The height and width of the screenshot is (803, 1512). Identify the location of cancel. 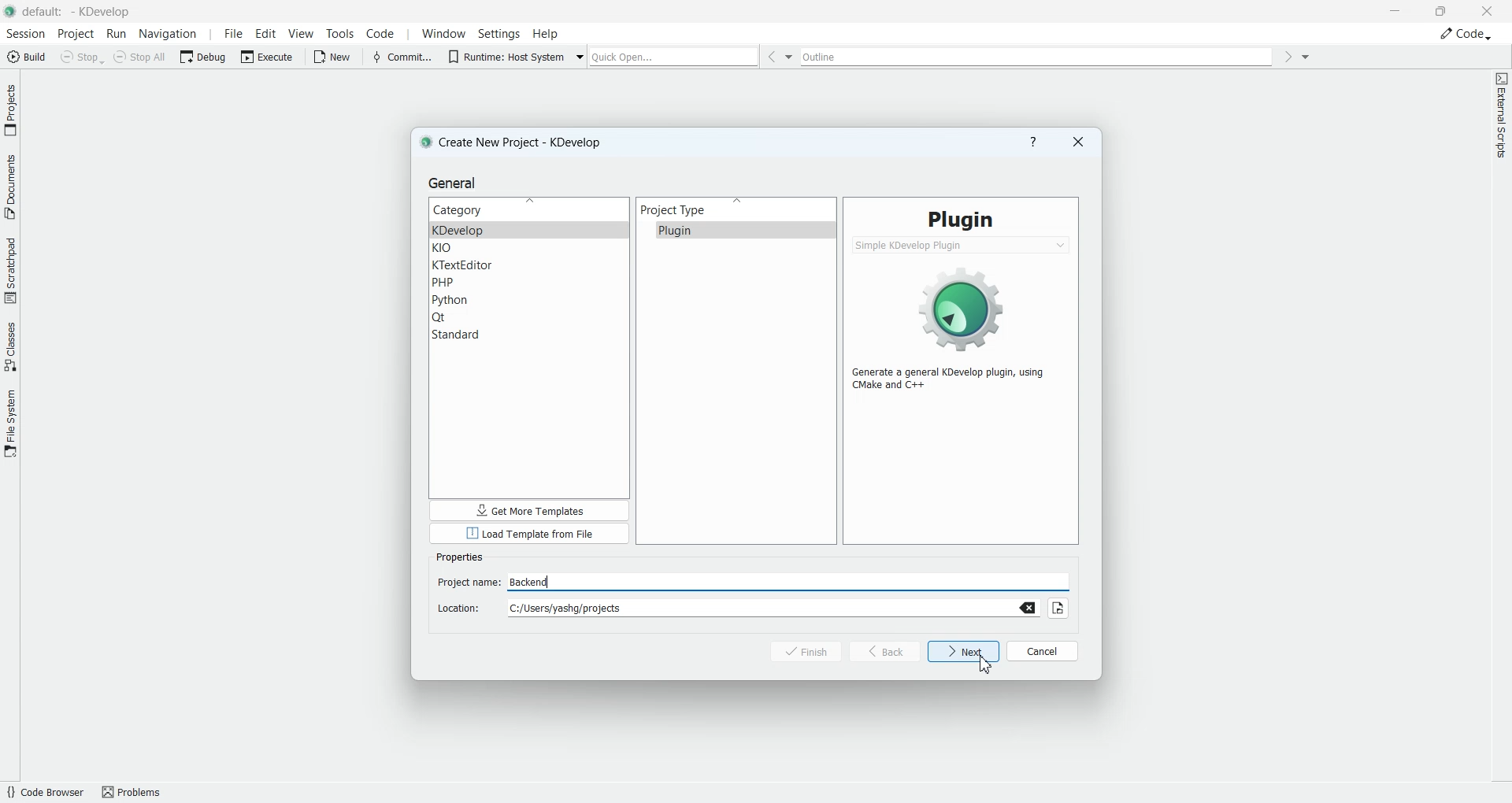
(1043, 649).